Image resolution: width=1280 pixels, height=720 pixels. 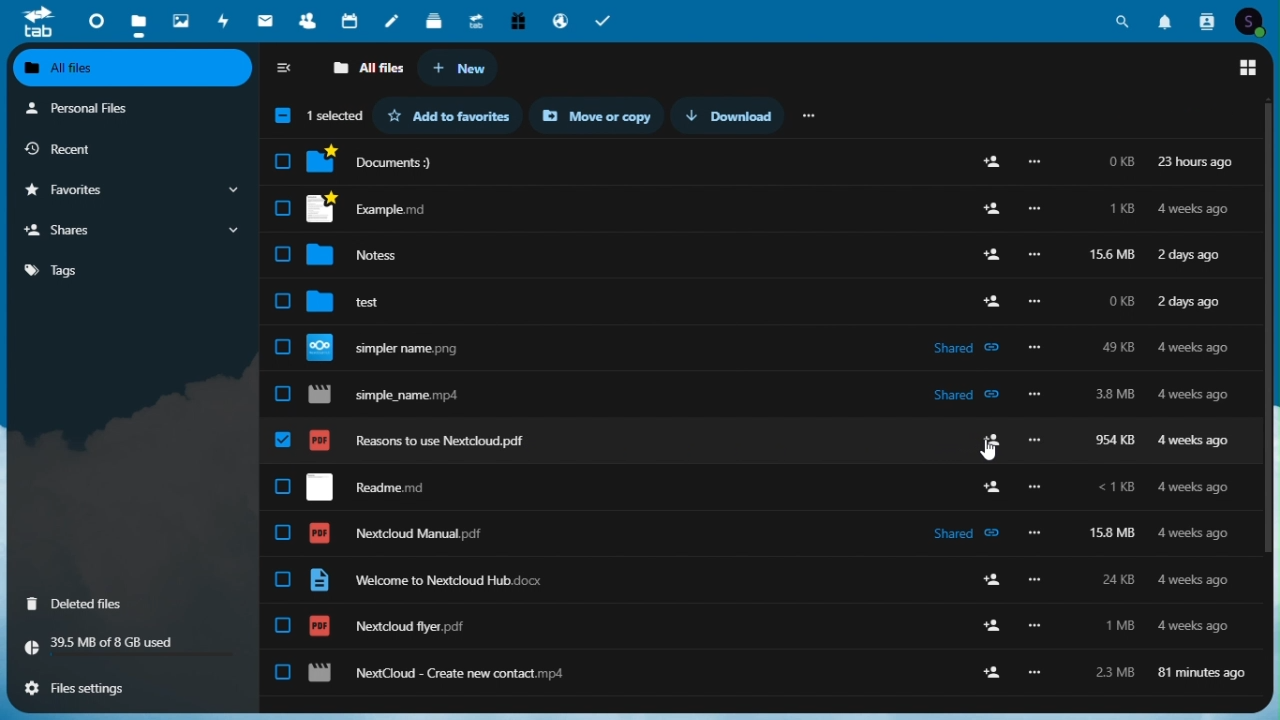 I want to click on cursor, so click(x=988, y=452).